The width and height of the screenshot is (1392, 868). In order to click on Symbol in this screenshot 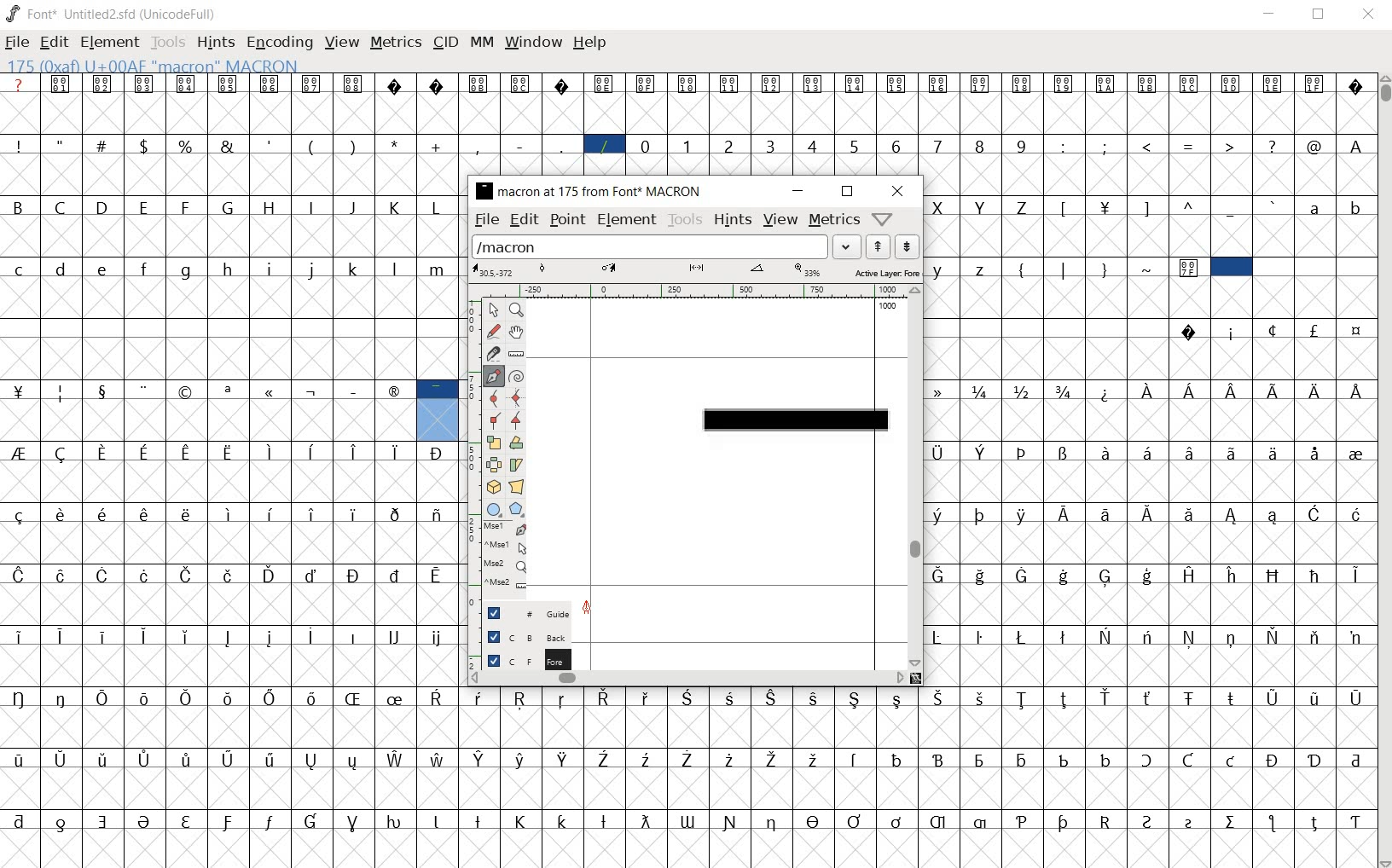, I will do `click(229, 84)`.